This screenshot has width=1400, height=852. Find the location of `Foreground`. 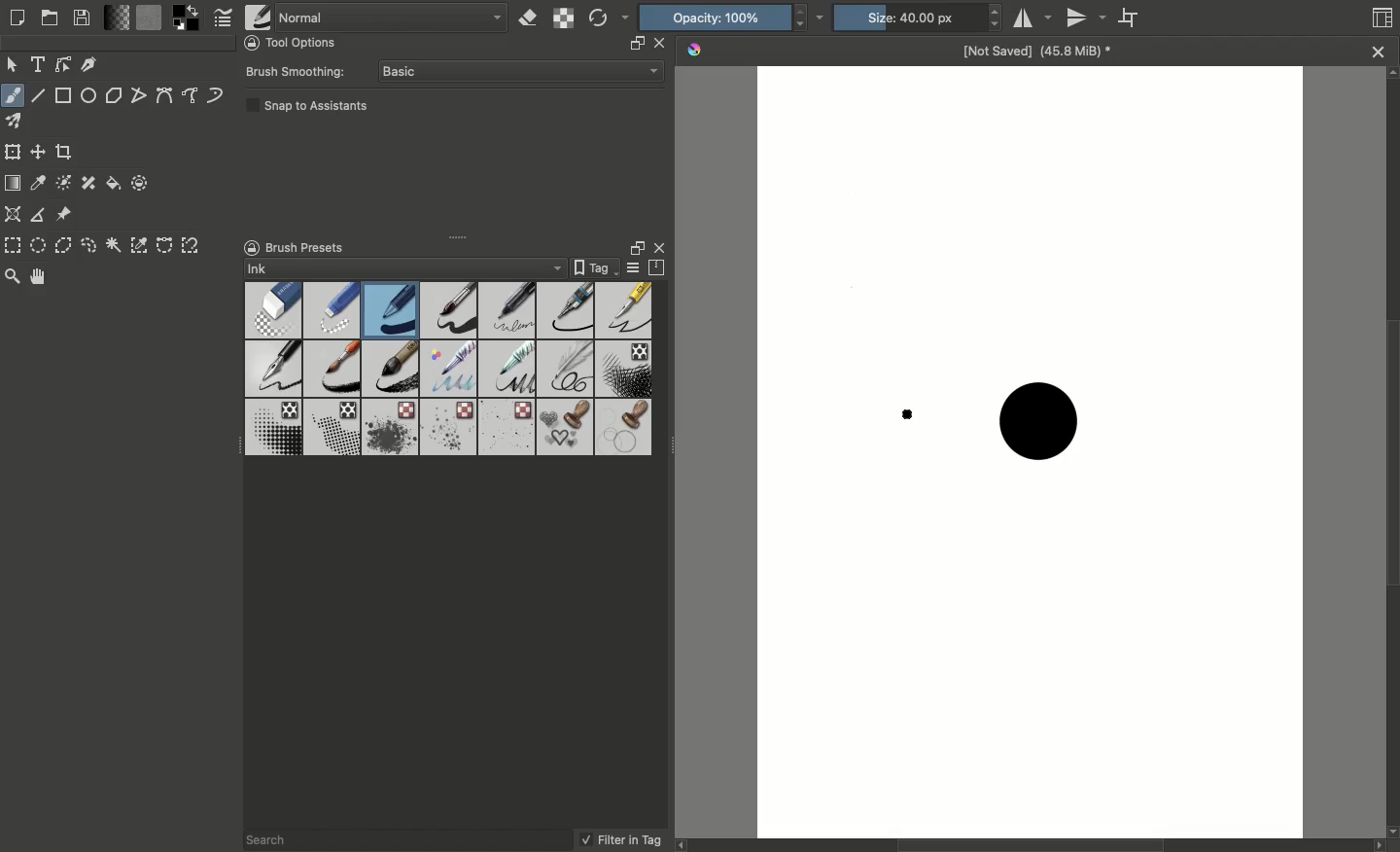

Foreground is located at coordinates (191, 18).